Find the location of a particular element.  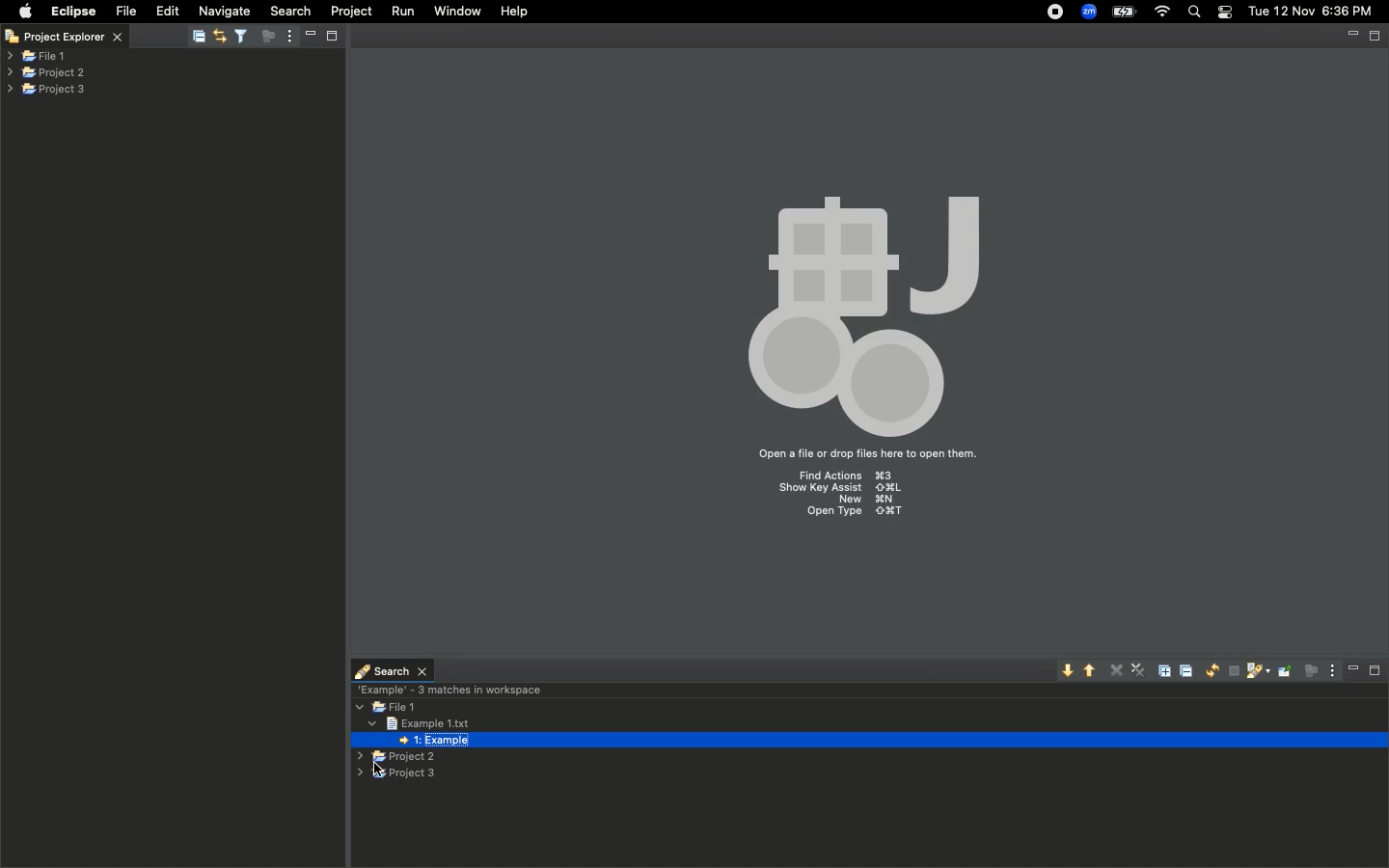

Internet is located at coordinates (1162, 13).